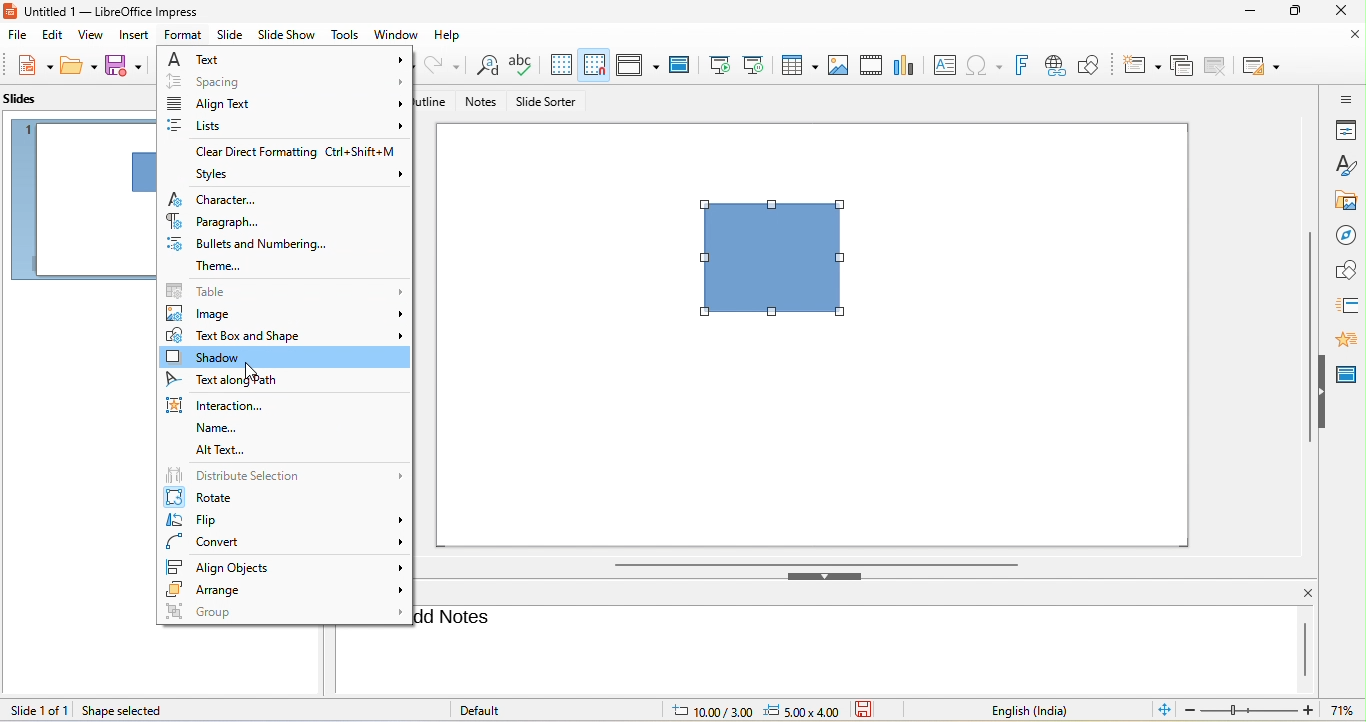 The height and width of the screenshot is (722, 1366). Describe the element at coordinates (284, 83) in the screenshot. I see `spacing` at that location.